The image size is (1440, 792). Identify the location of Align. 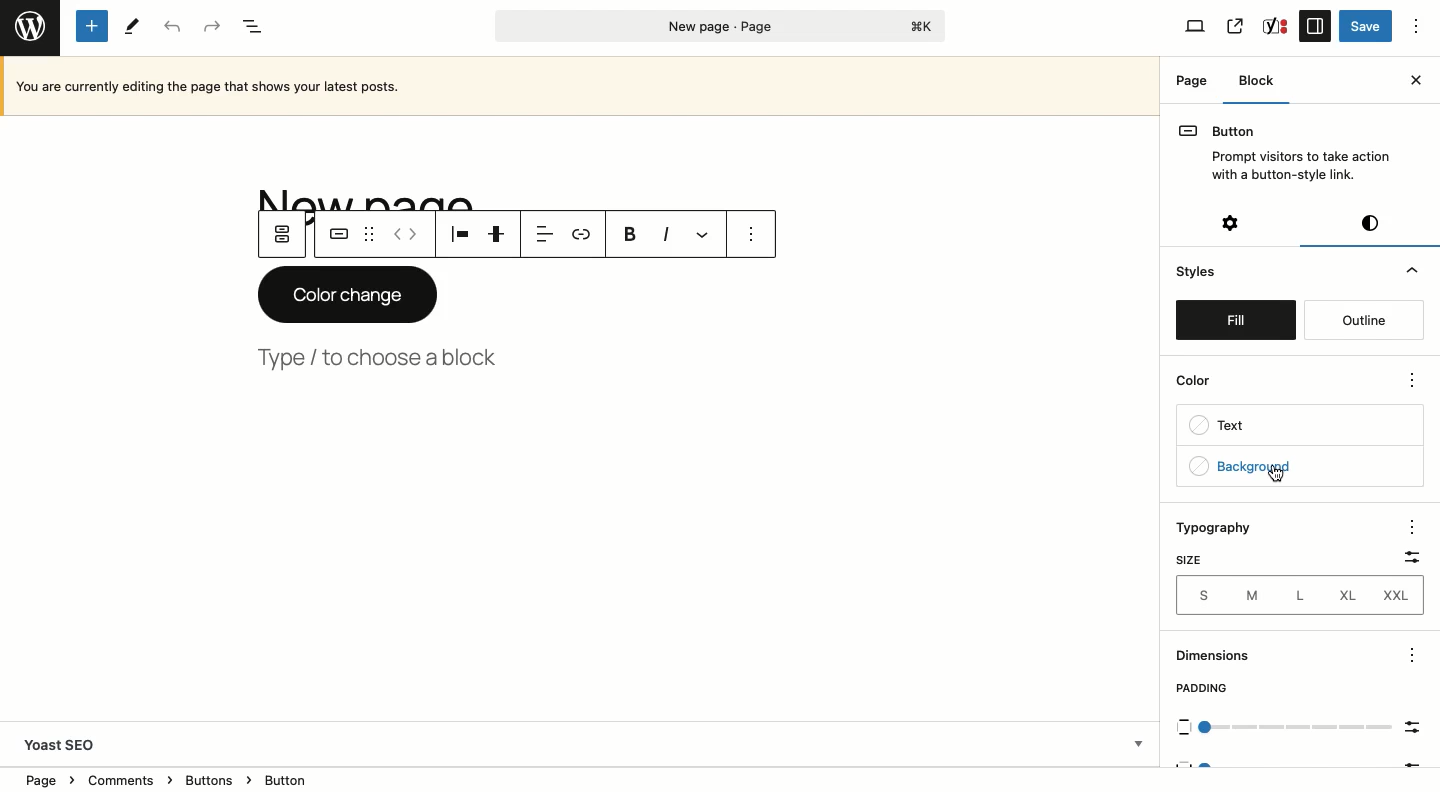
(539, 235).